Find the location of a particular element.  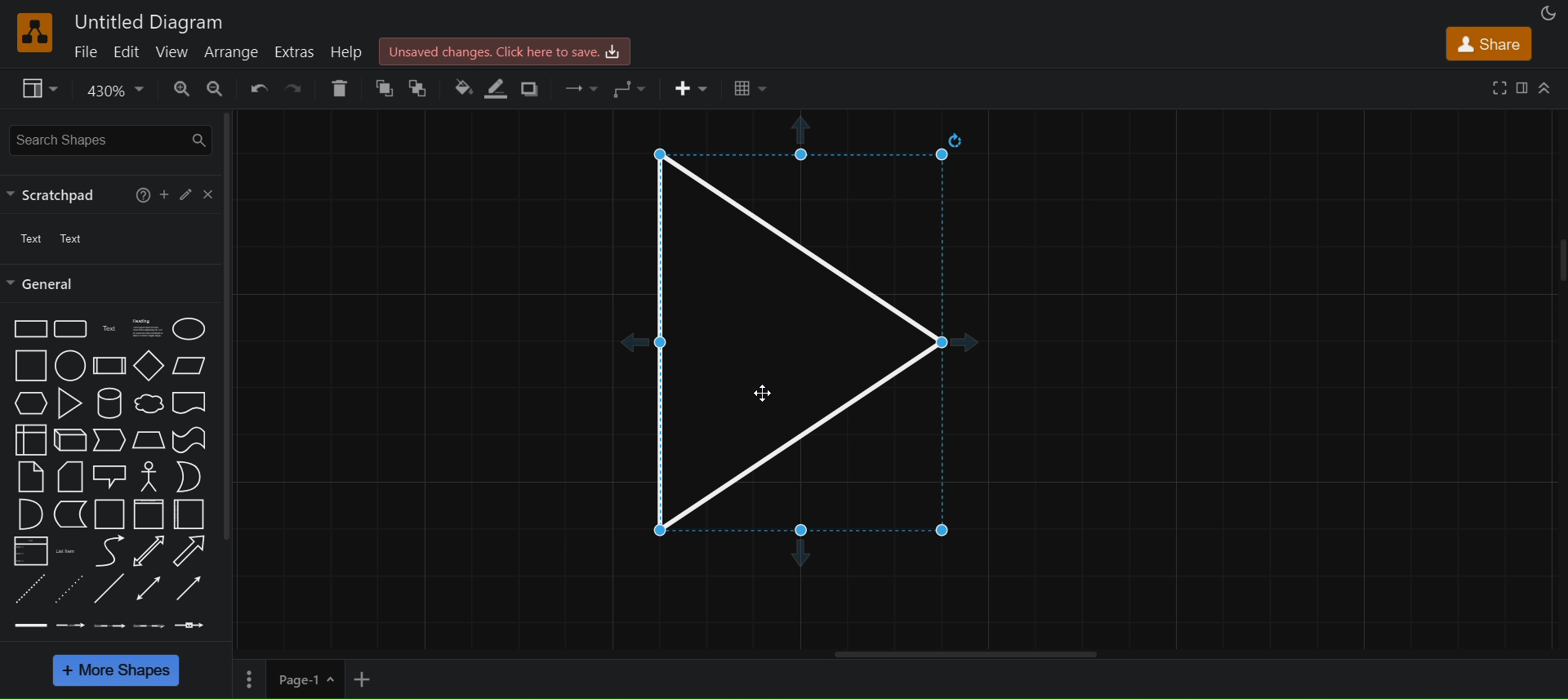

format is located at coordinates (1521, 87).